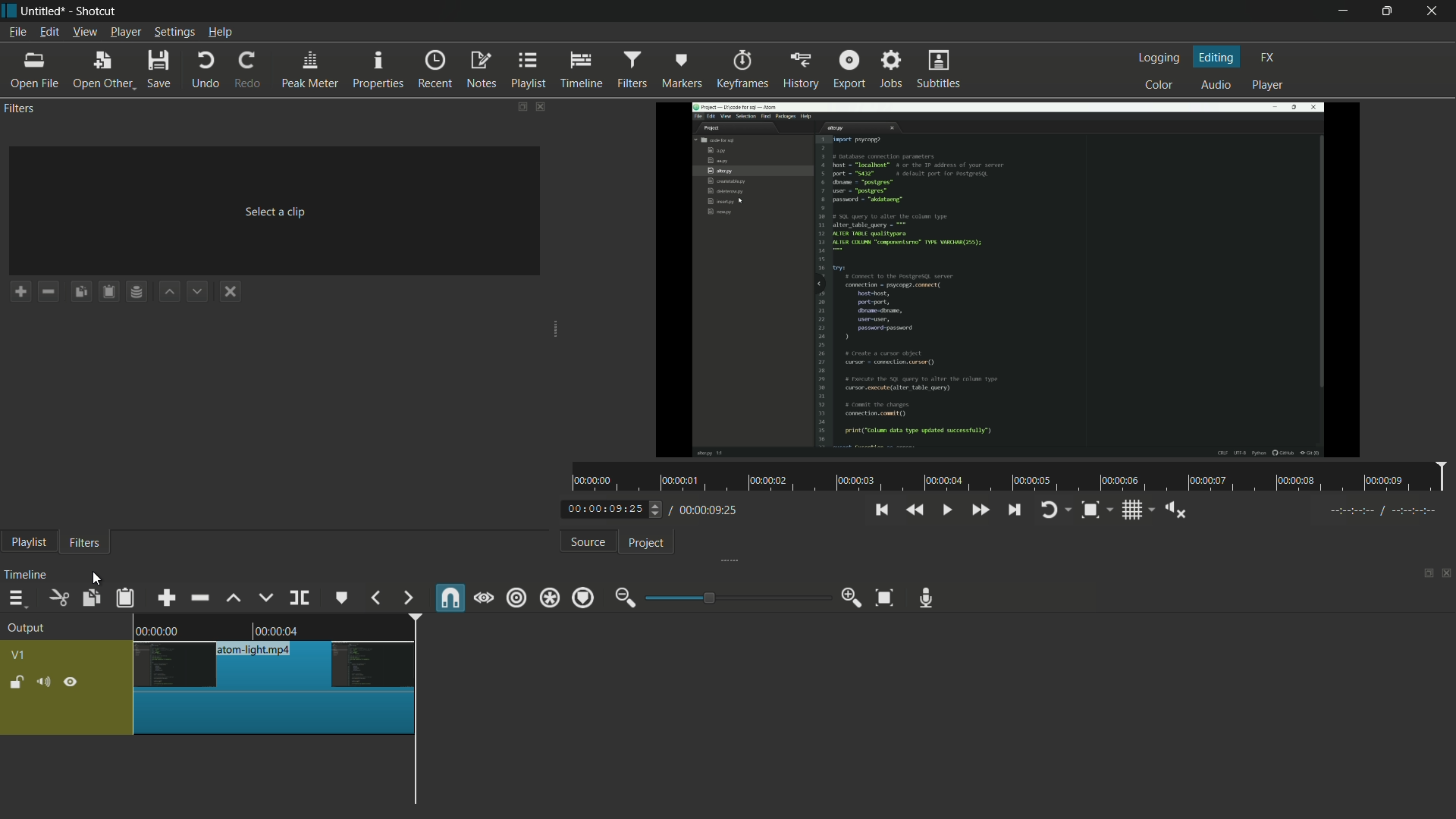  I want to click on move filter up, so click(171, 293).